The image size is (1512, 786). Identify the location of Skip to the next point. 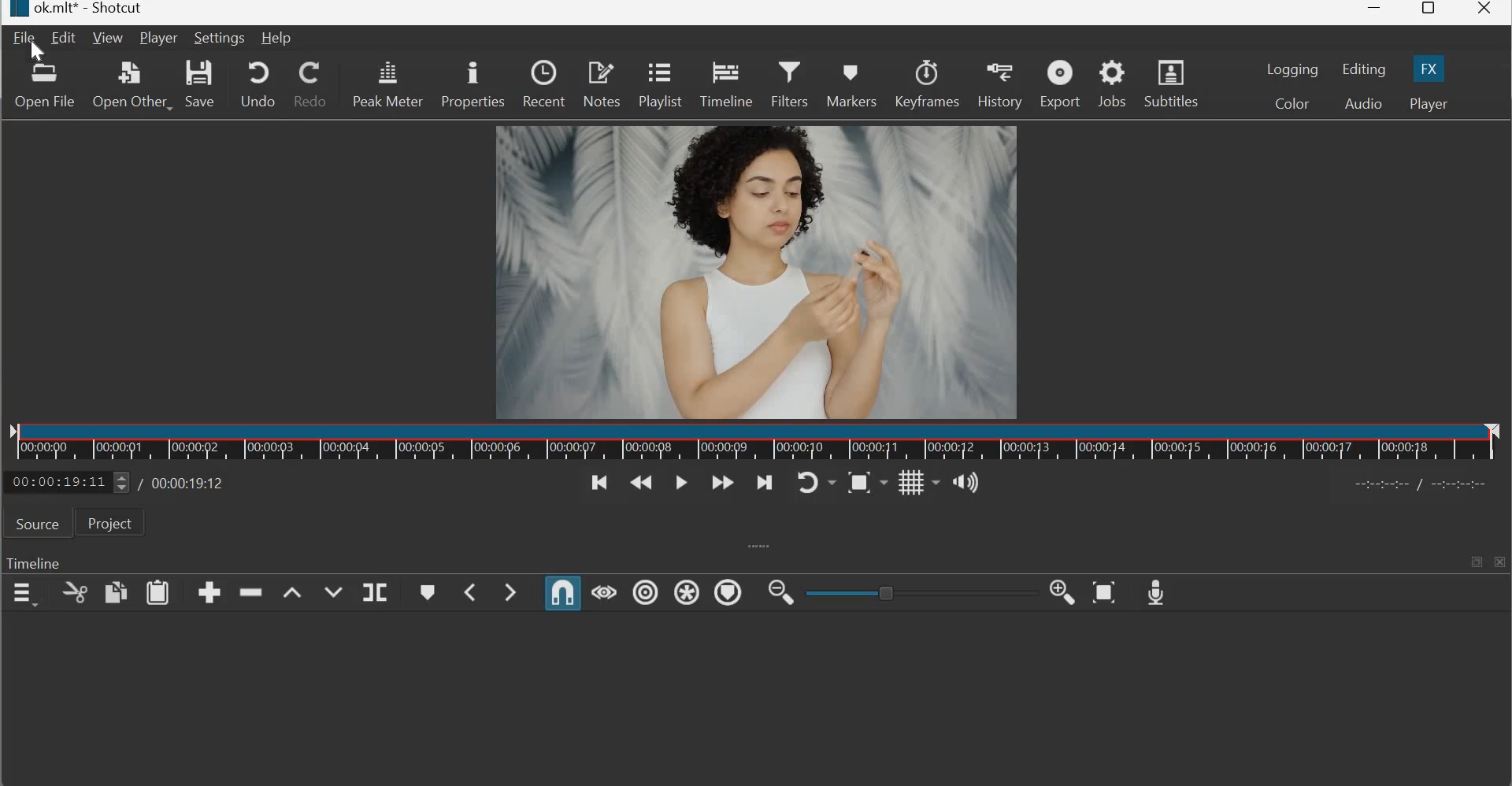
(765, 482).